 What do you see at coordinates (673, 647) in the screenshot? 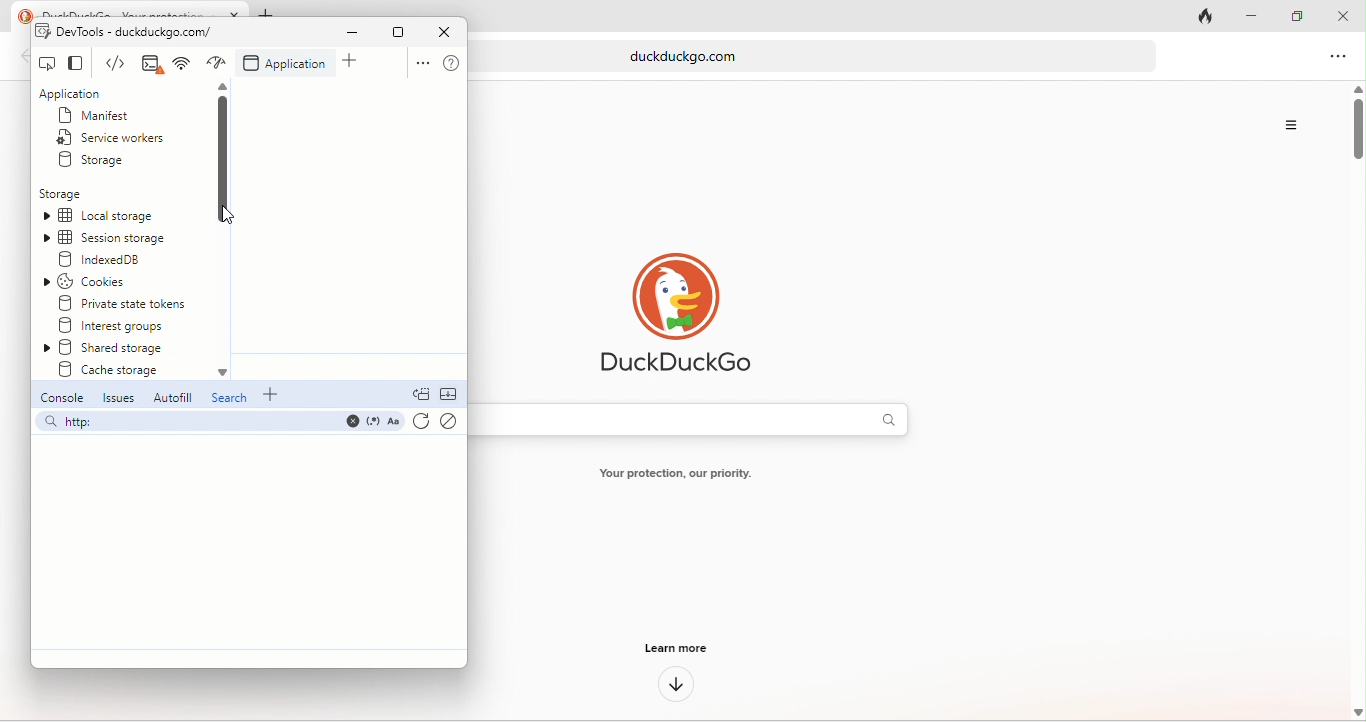
I see `learn more` at bounding box center [673, 647].